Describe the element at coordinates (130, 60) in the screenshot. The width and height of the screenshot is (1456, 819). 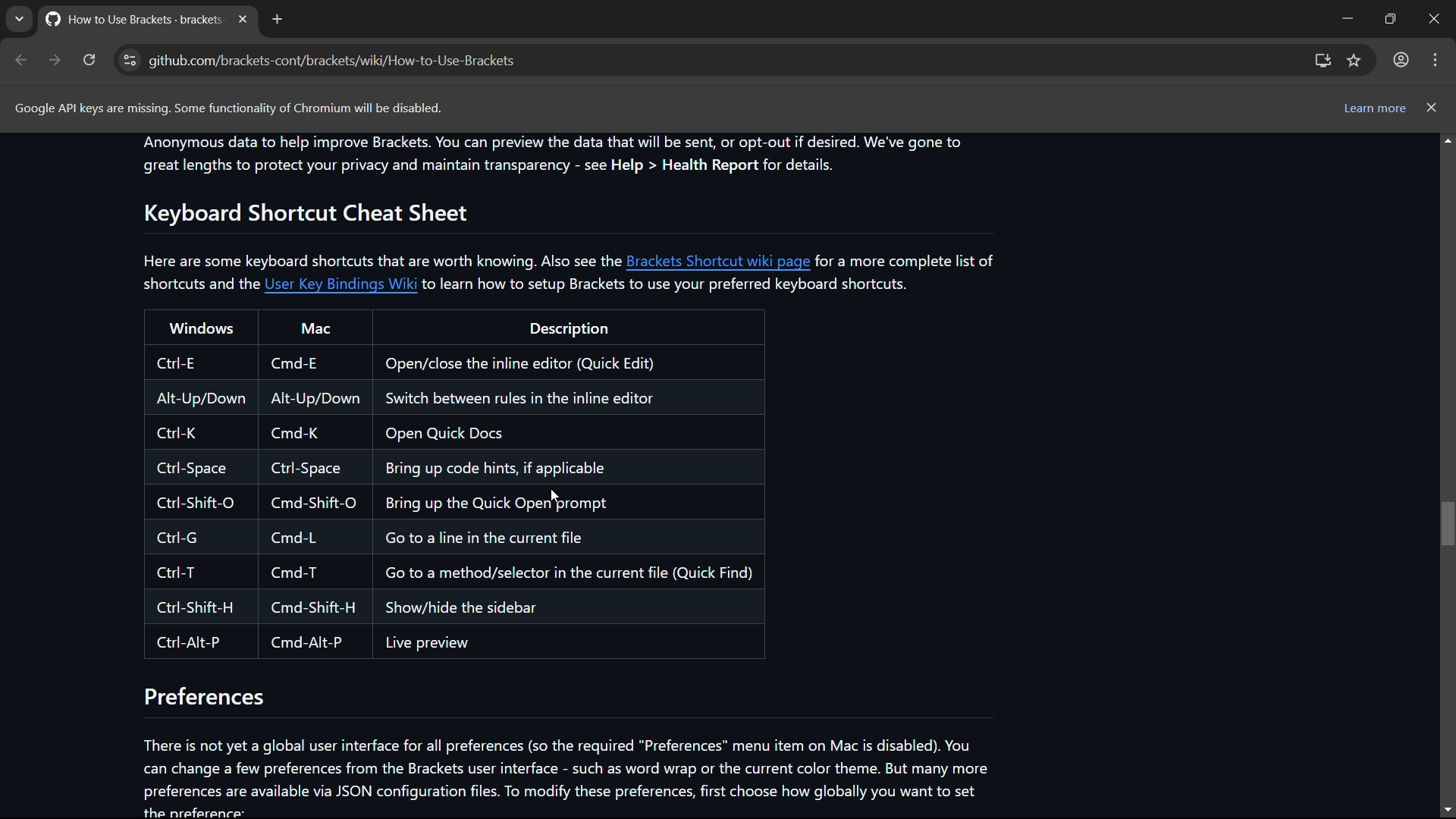
I see `site information` at that location.